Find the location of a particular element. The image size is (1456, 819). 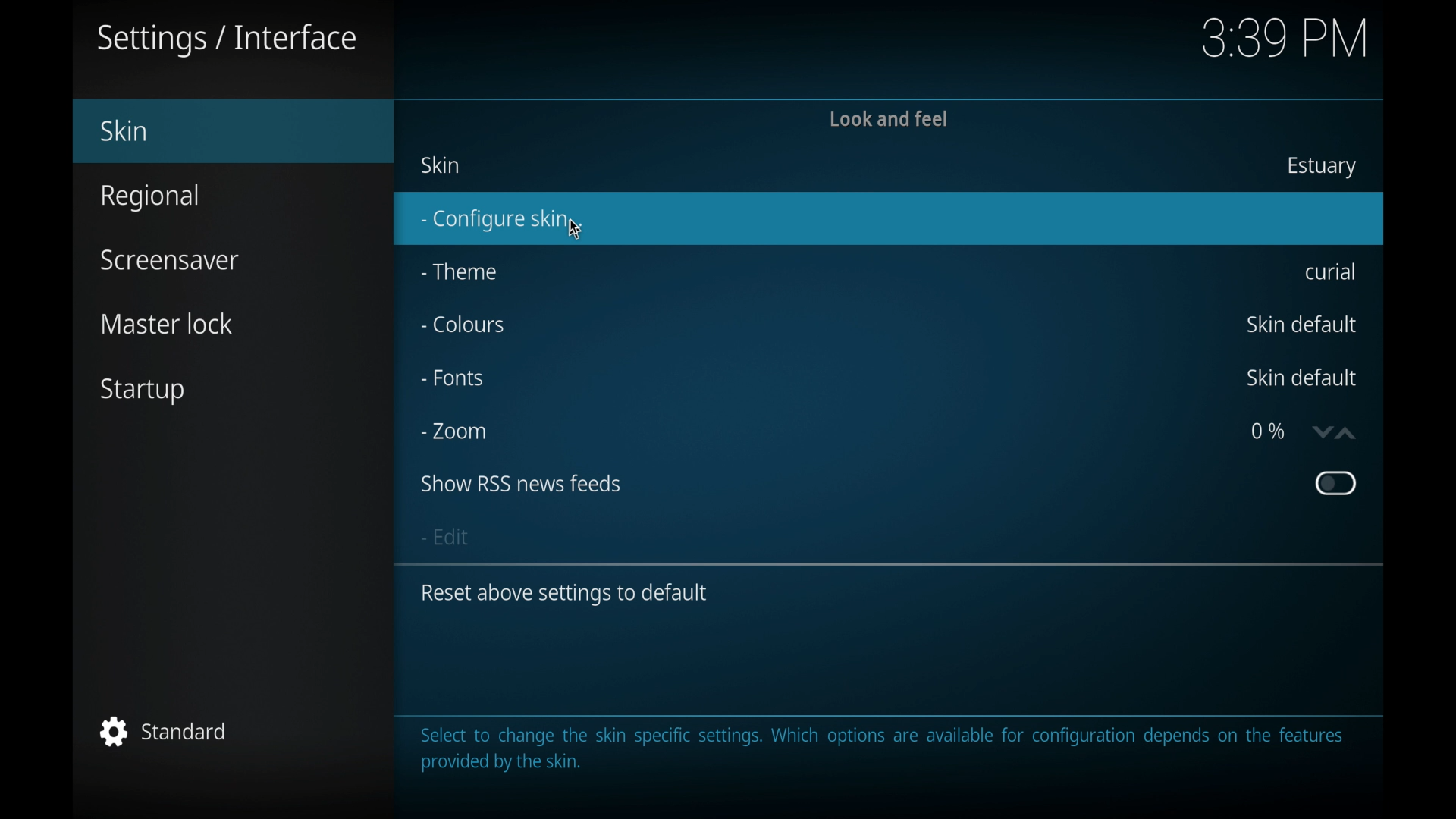

stepper button is located at coordinates (1334, 432).